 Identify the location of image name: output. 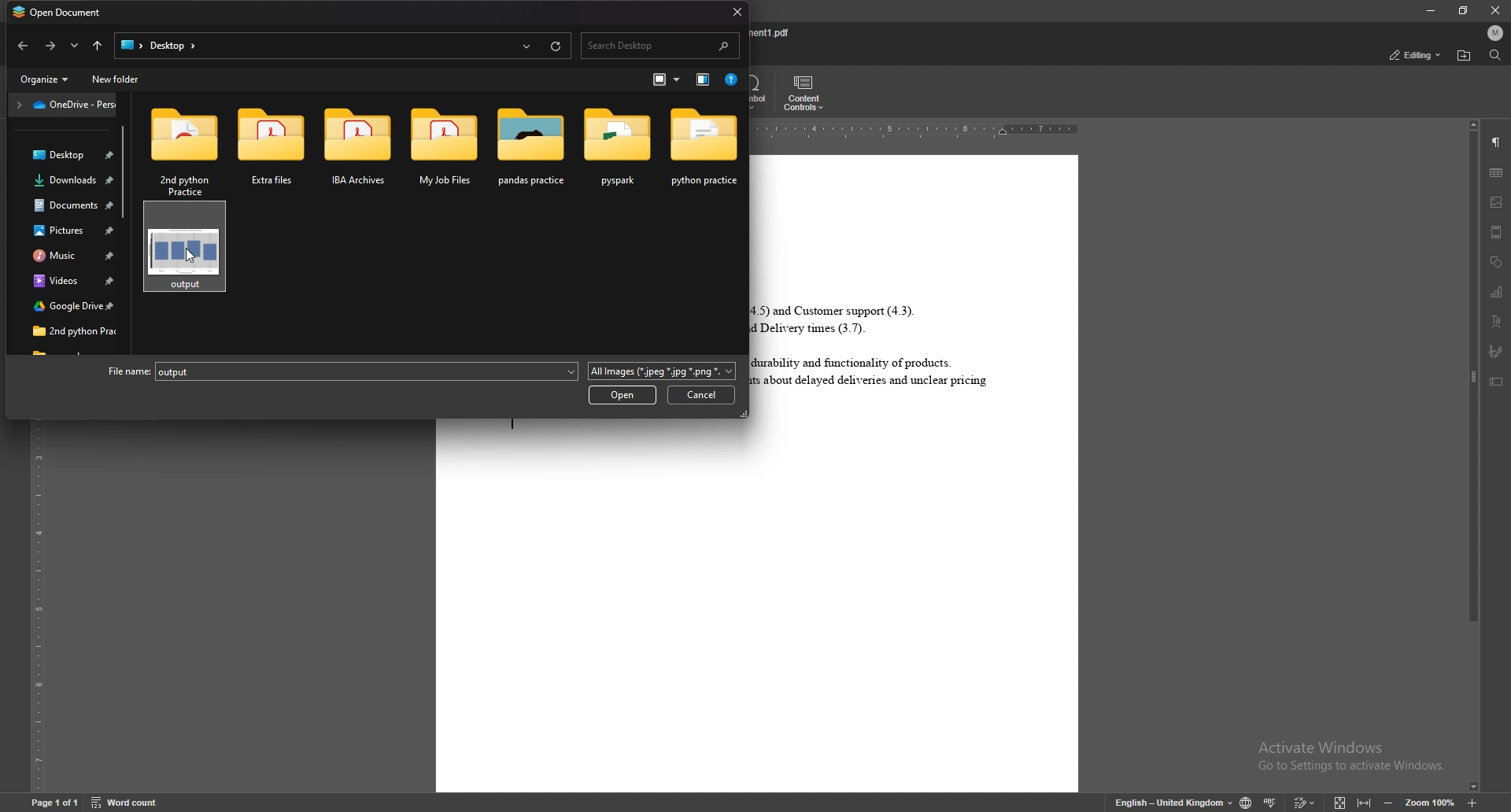
(180, 371).